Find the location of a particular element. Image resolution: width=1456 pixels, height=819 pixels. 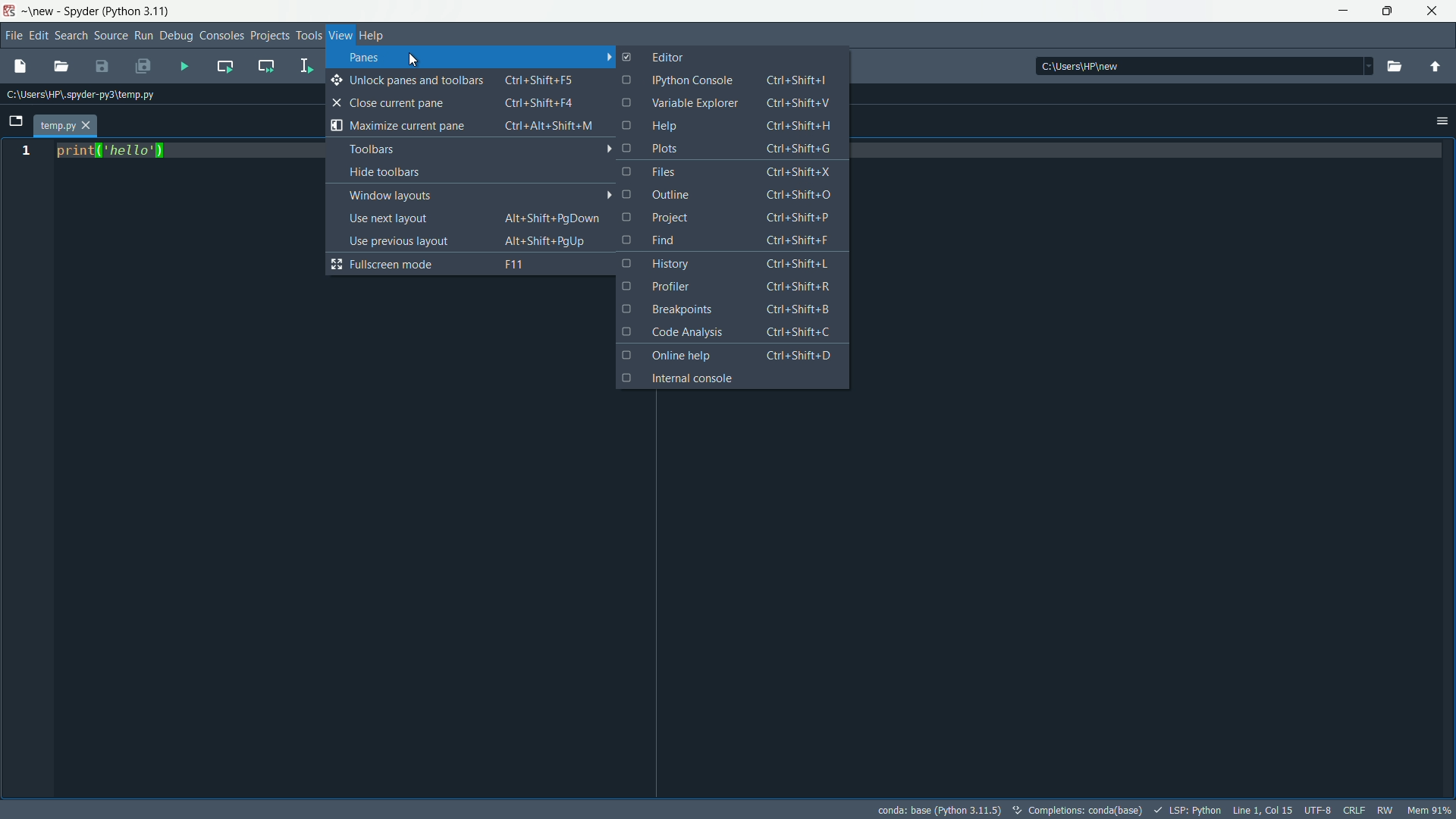

toolbars is located at coordinates (479, 149).